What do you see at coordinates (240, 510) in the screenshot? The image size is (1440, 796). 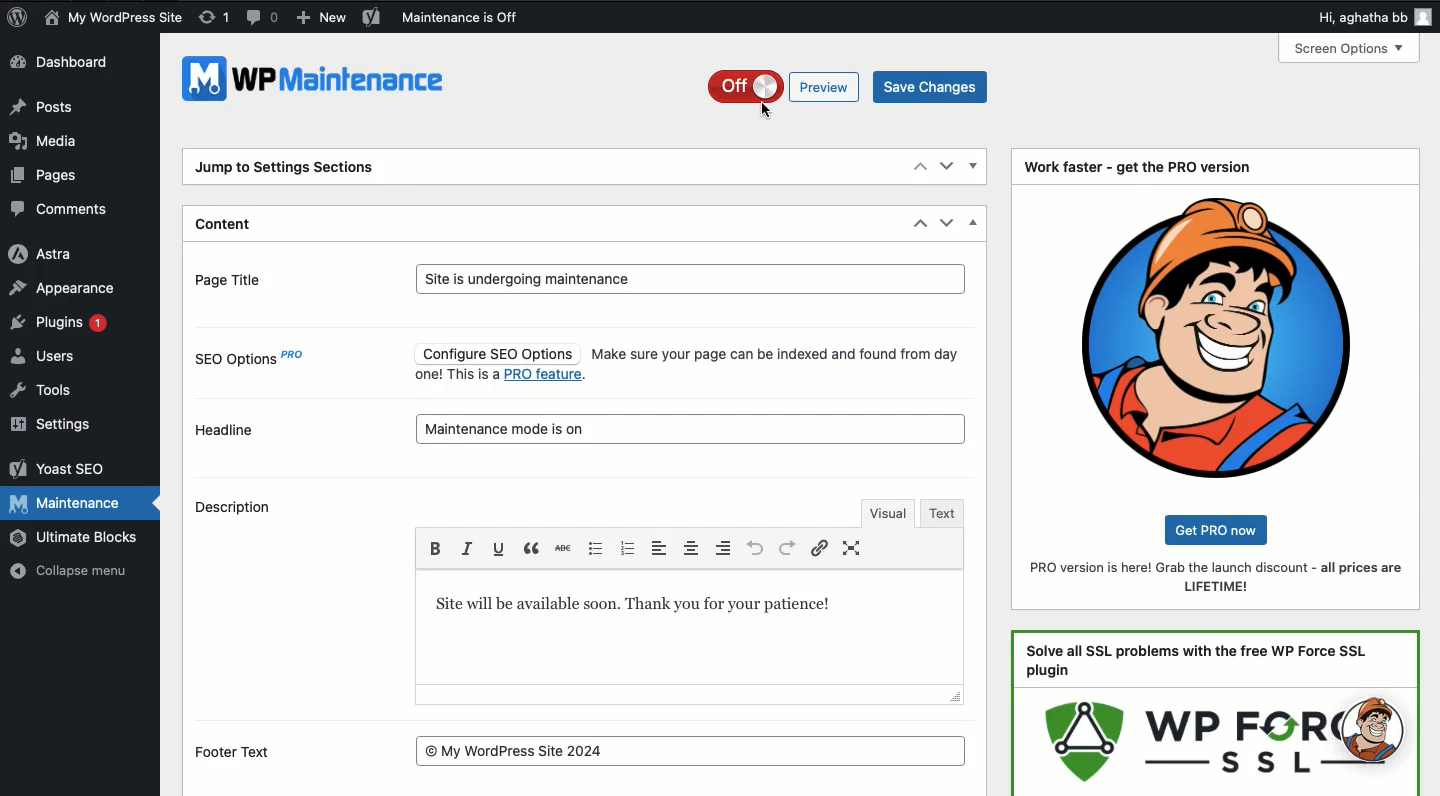 I see `Description` at bounding box center [240, 510].